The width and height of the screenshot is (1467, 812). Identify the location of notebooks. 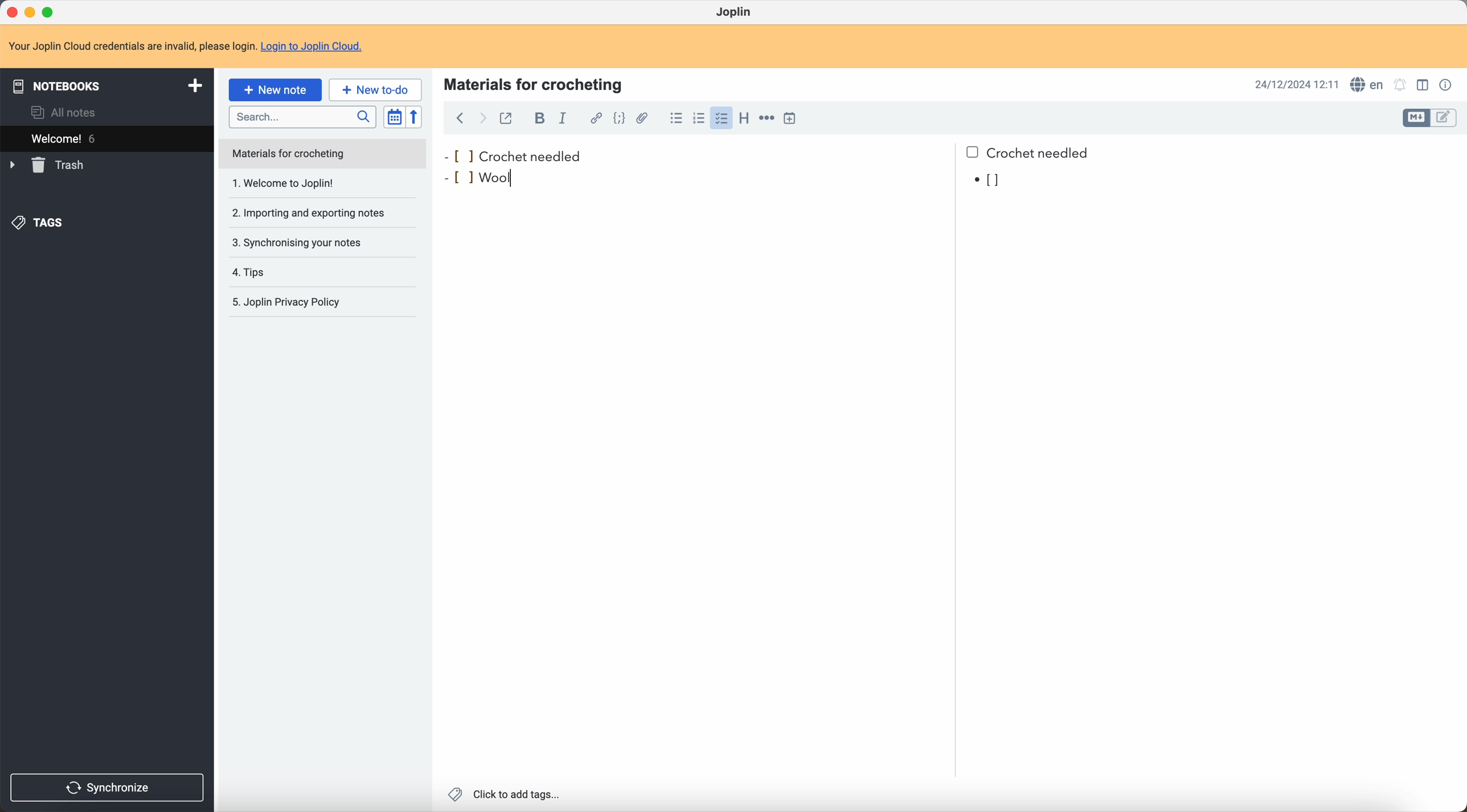
(105, 84).